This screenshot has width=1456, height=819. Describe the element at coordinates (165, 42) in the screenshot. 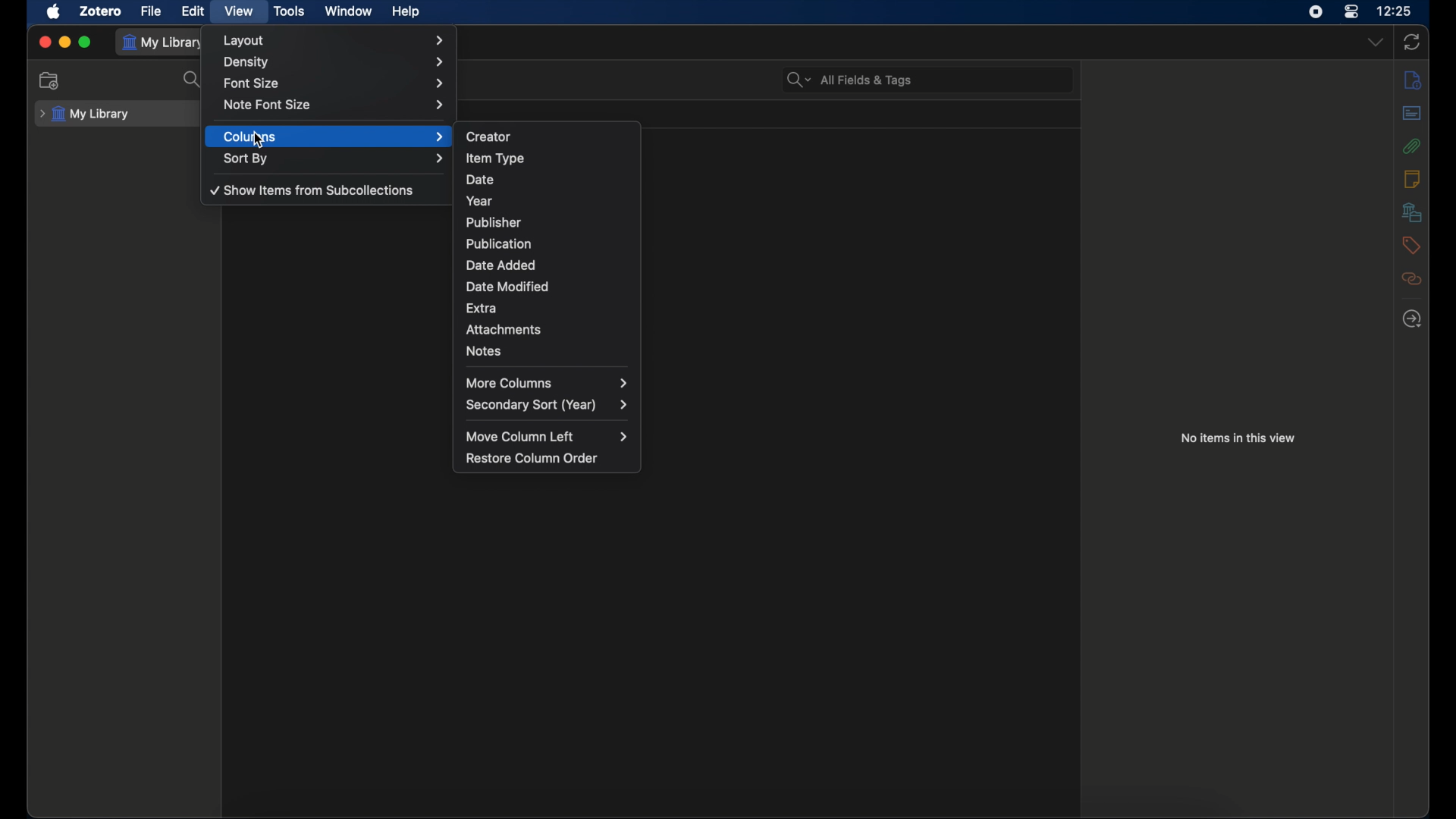

I see `my library` at that location.